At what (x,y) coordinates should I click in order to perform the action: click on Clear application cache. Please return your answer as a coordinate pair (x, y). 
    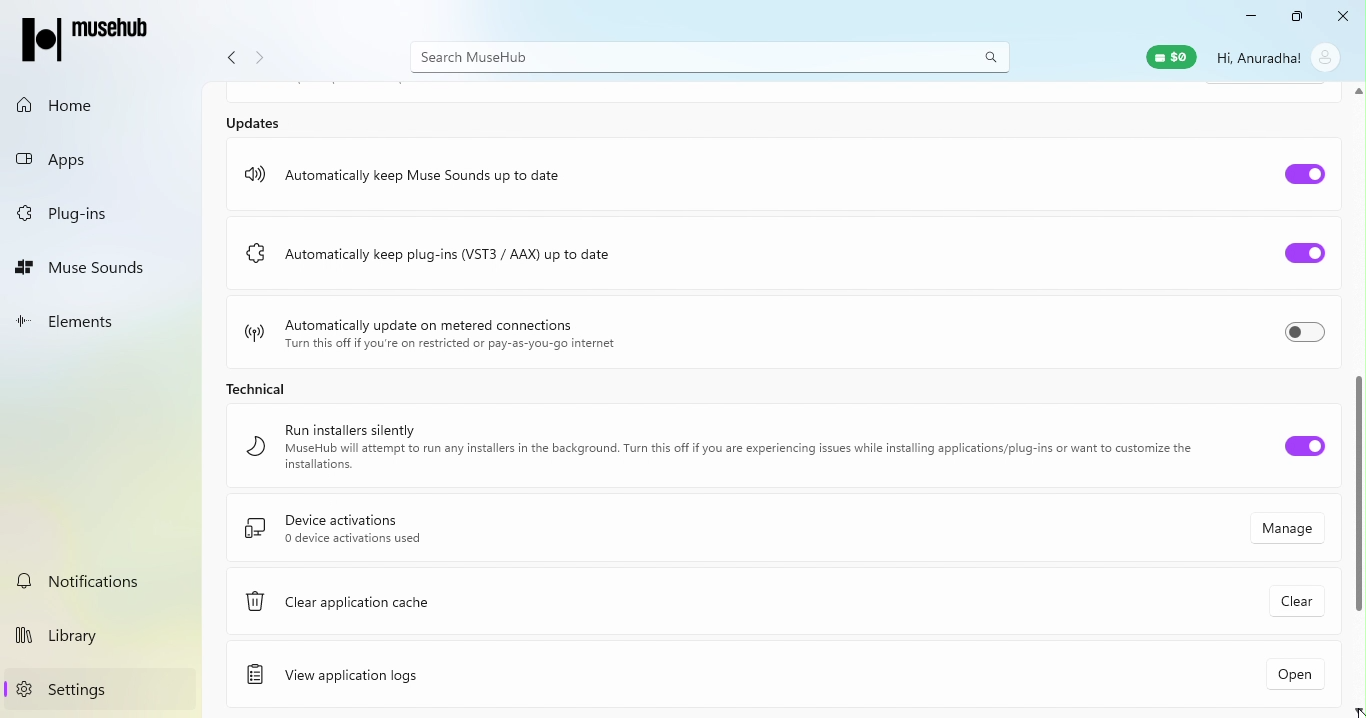
    Looking at the image, I should click on (462, 607).